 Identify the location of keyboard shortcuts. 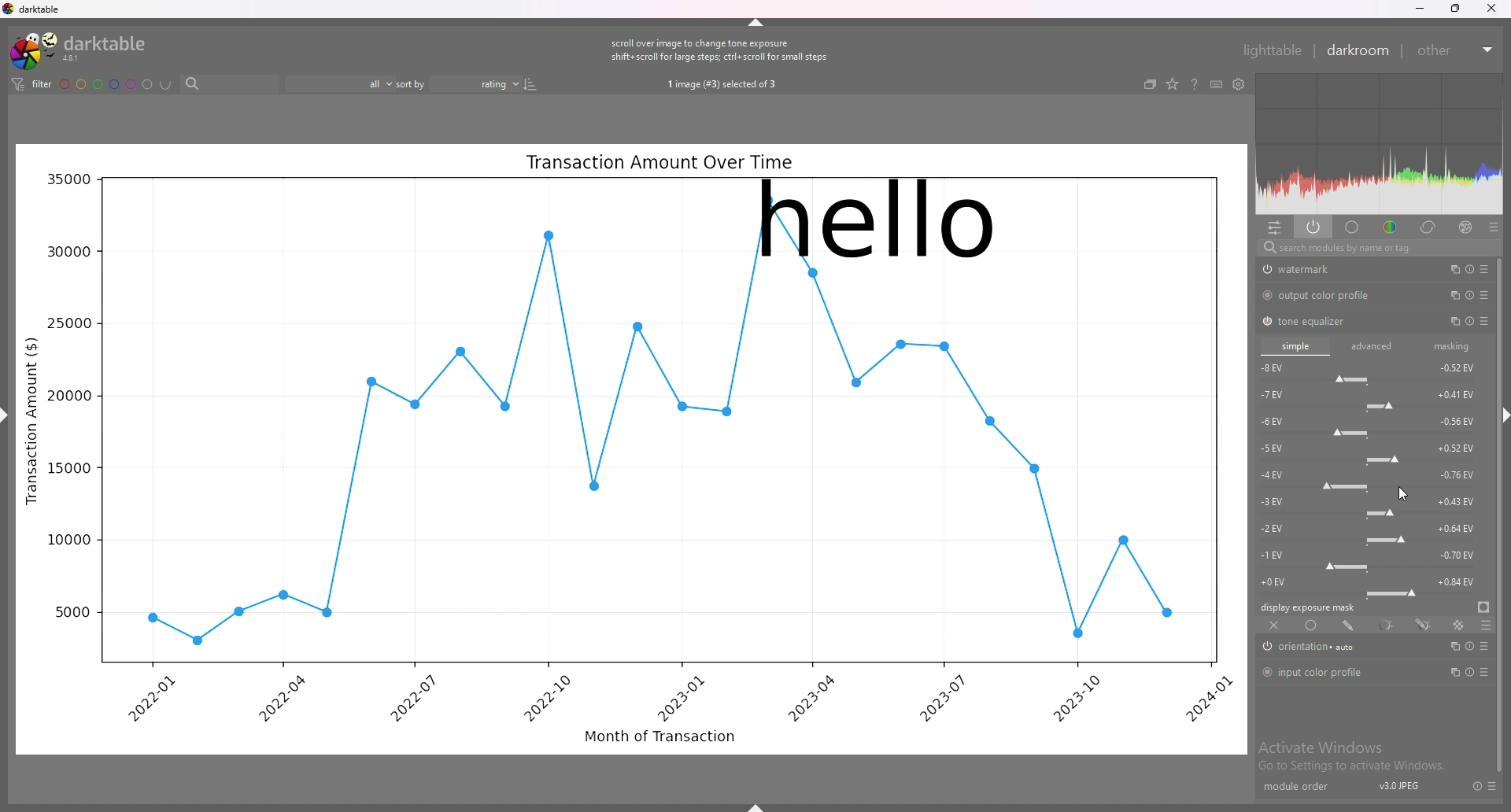
(1216, 84).